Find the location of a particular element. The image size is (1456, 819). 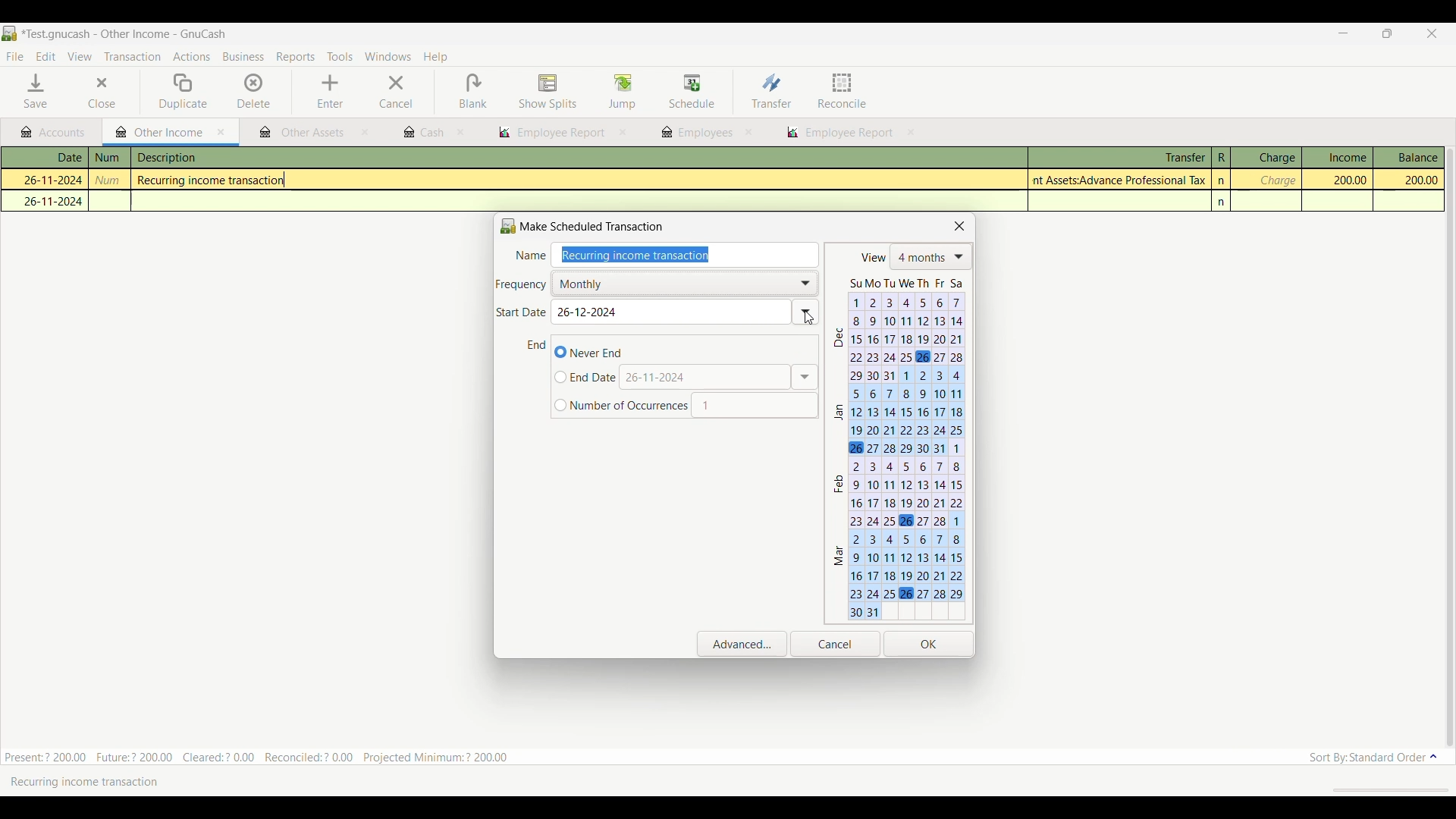

Schedule highlighted after selection by cursor is located at coordinates (692, 93).